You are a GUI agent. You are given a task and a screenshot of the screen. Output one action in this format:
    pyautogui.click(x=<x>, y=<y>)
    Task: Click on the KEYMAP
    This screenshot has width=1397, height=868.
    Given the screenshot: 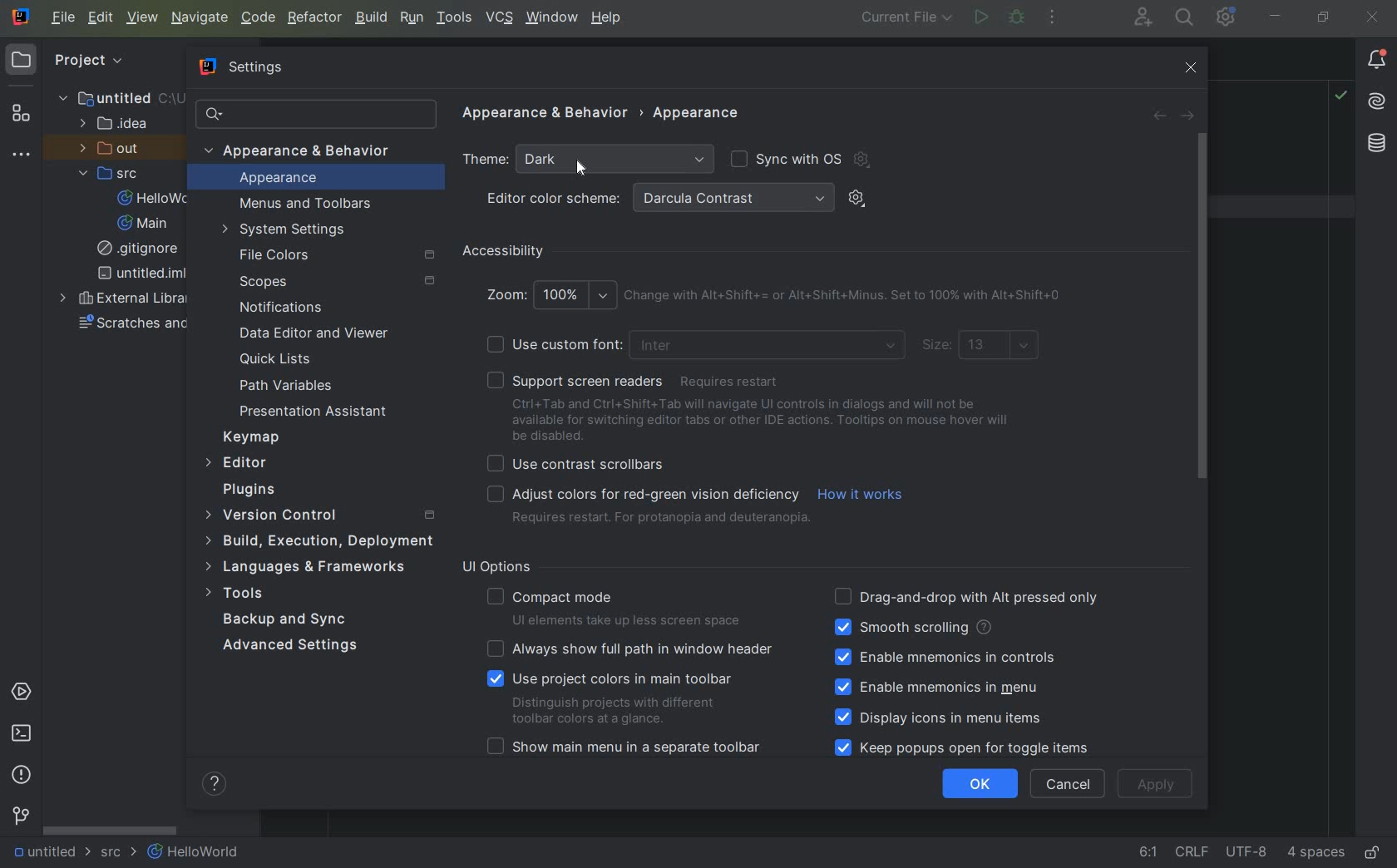 What is the action you would take?
    pyautogui.click(x=256, y=436)
    